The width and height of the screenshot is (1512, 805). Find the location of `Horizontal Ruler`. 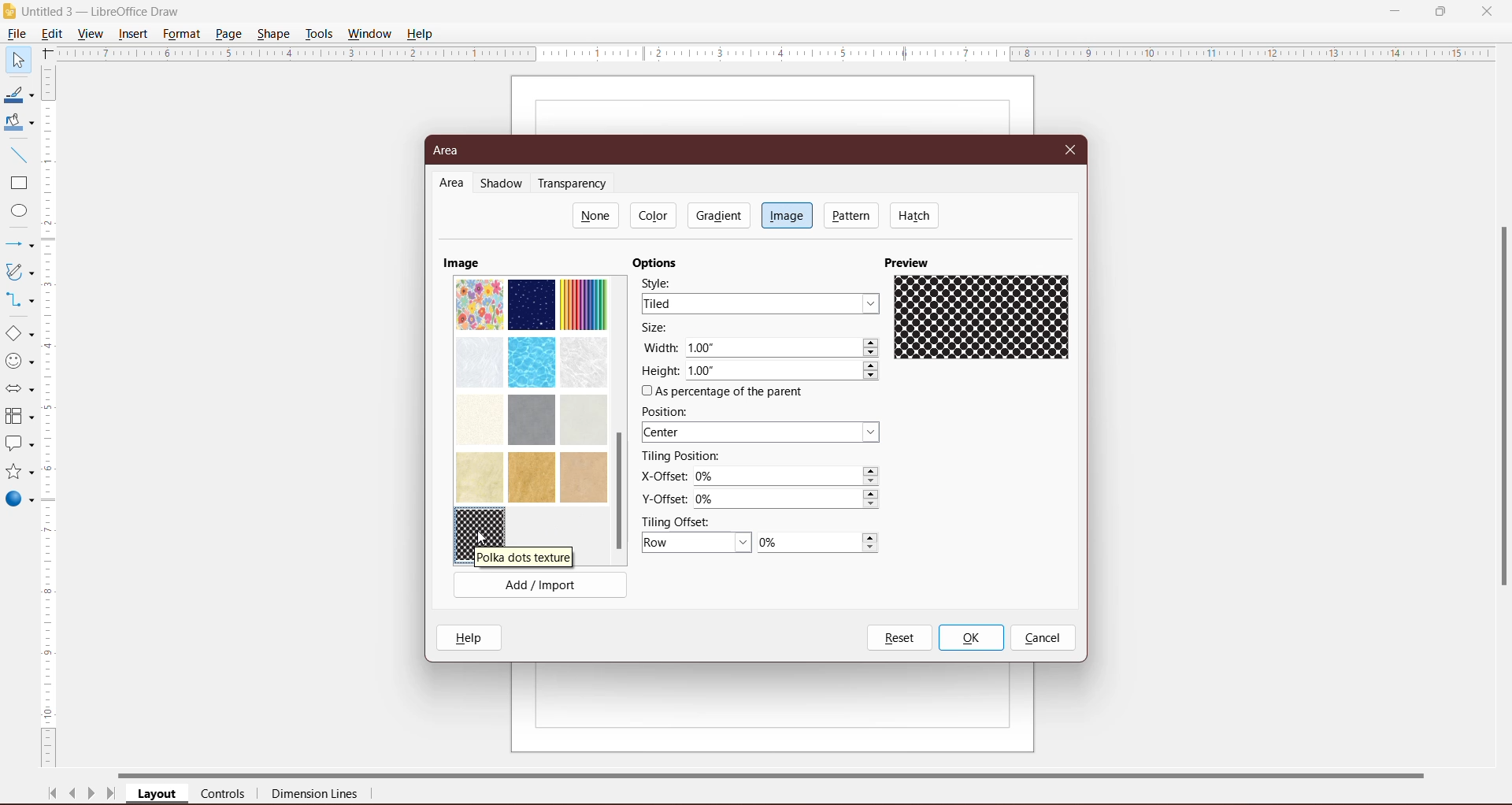

Horizontal Ruler is located at coordinates (776, 53).